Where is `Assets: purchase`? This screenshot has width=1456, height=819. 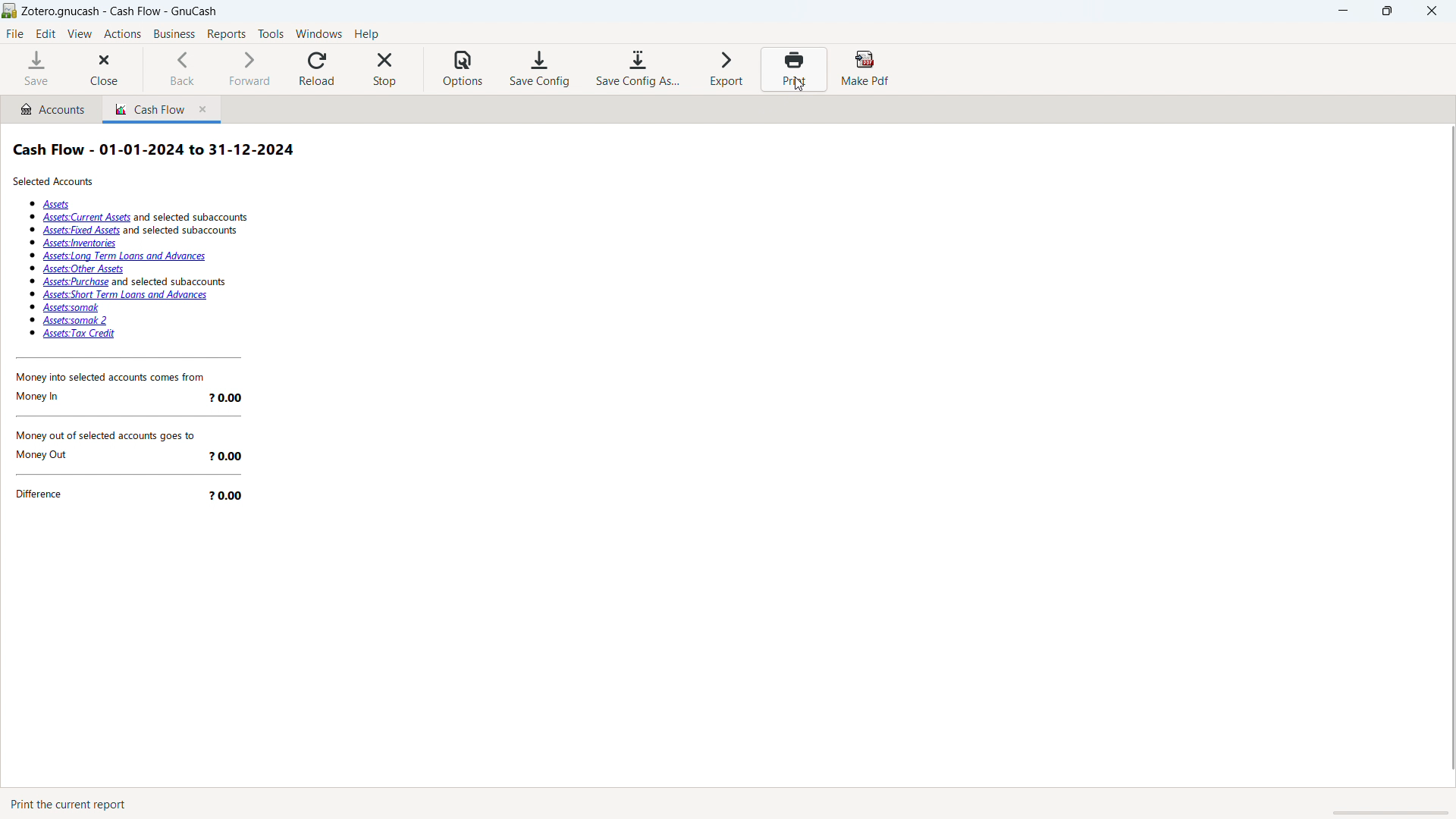
Assets: purchase is located at coordinates (133, 282).